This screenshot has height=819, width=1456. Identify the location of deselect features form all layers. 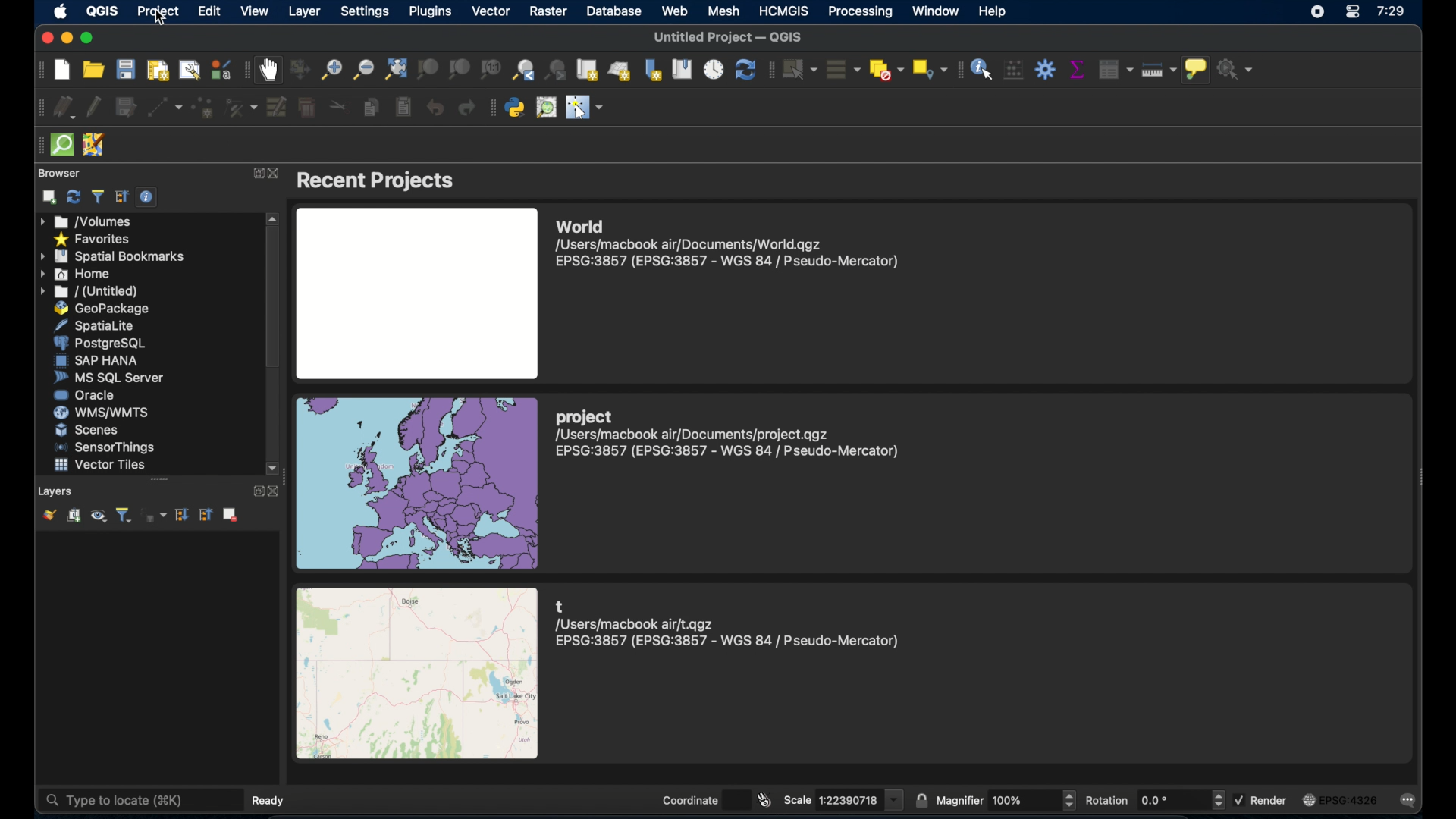
(886, 70).